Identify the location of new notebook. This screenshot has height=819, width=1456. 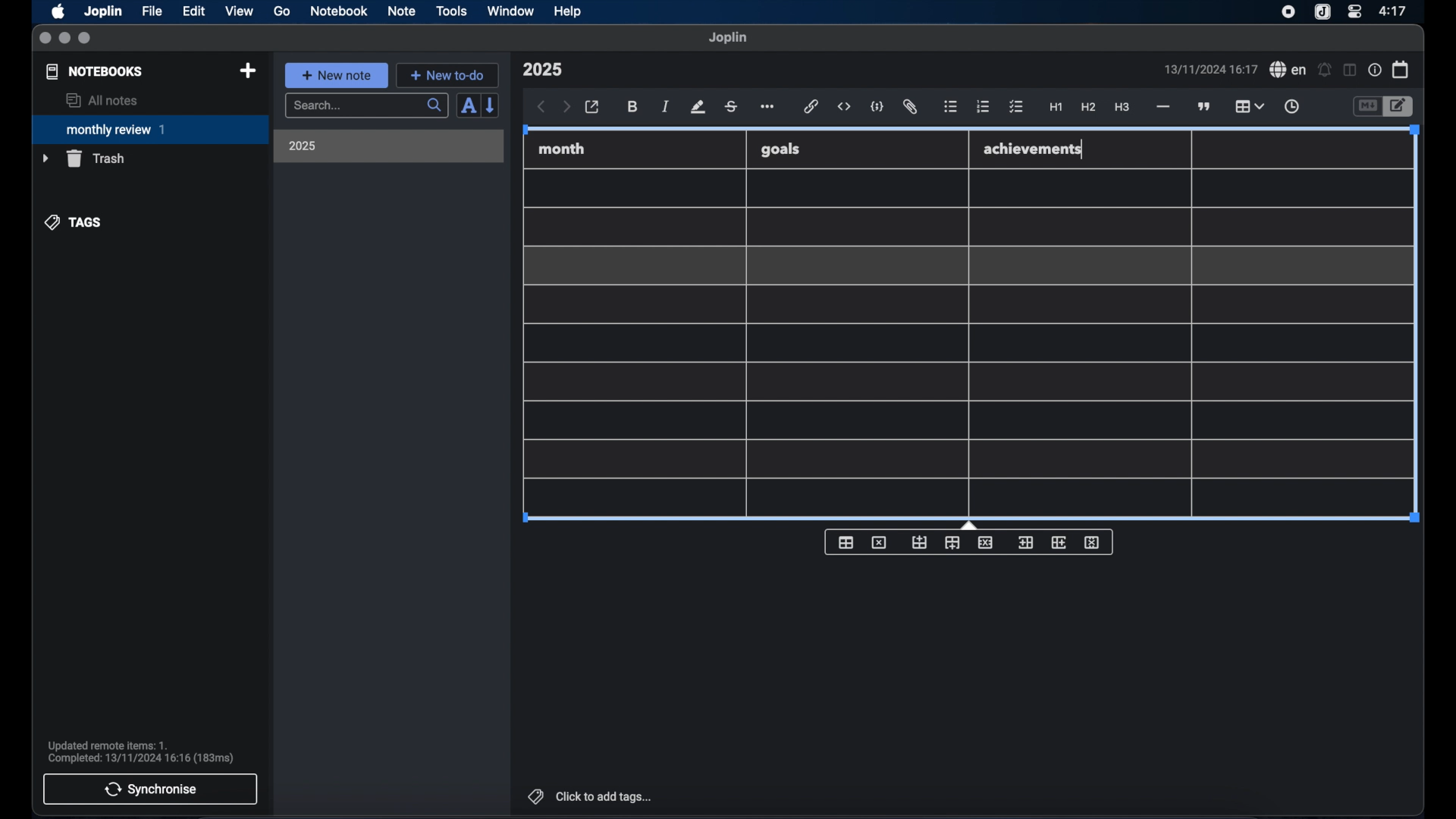
(247, 71).